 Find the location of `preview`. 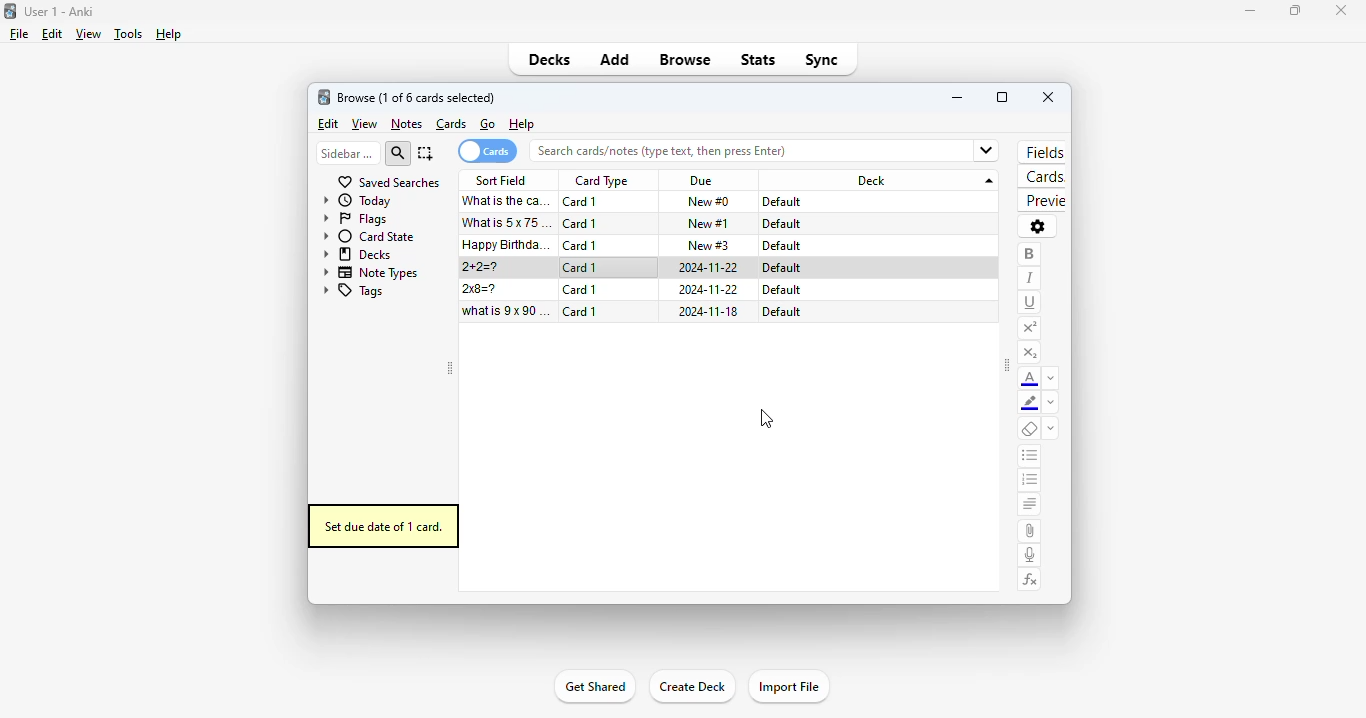

preview is located at coordinates (1041, 201).